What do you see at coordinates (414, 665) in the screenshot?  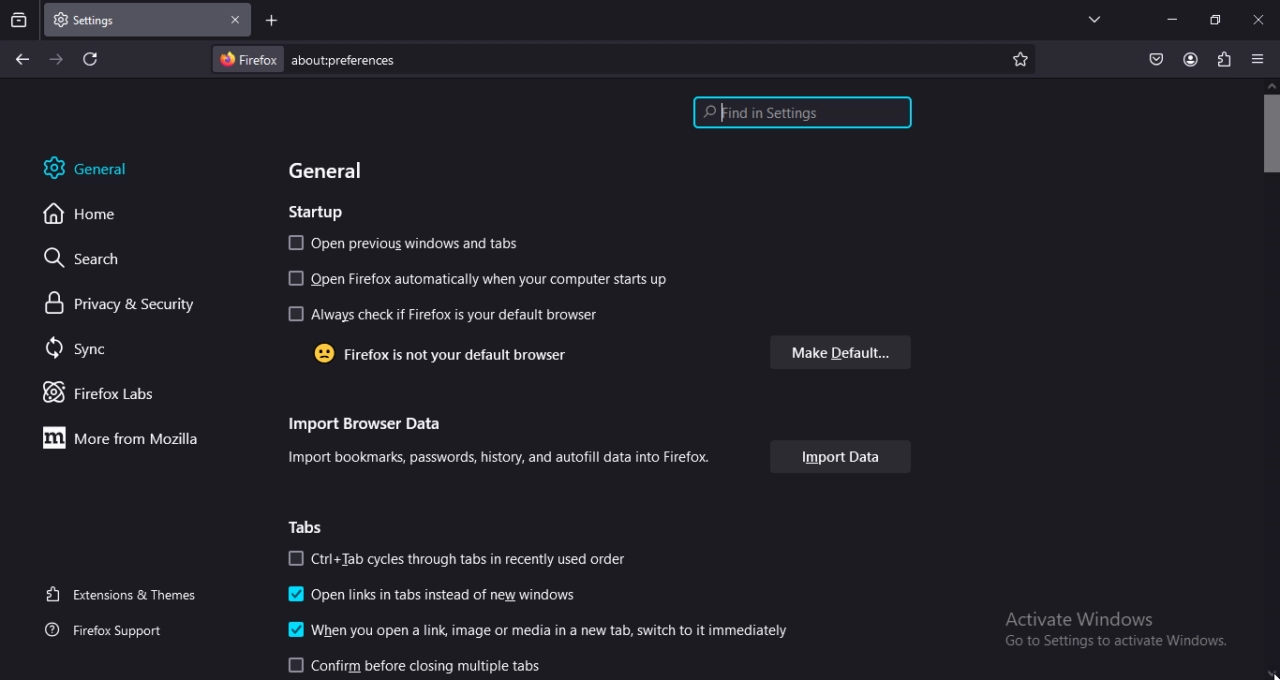 I see `confirm before closing multiple tabs` at bounding box center [414, 665].